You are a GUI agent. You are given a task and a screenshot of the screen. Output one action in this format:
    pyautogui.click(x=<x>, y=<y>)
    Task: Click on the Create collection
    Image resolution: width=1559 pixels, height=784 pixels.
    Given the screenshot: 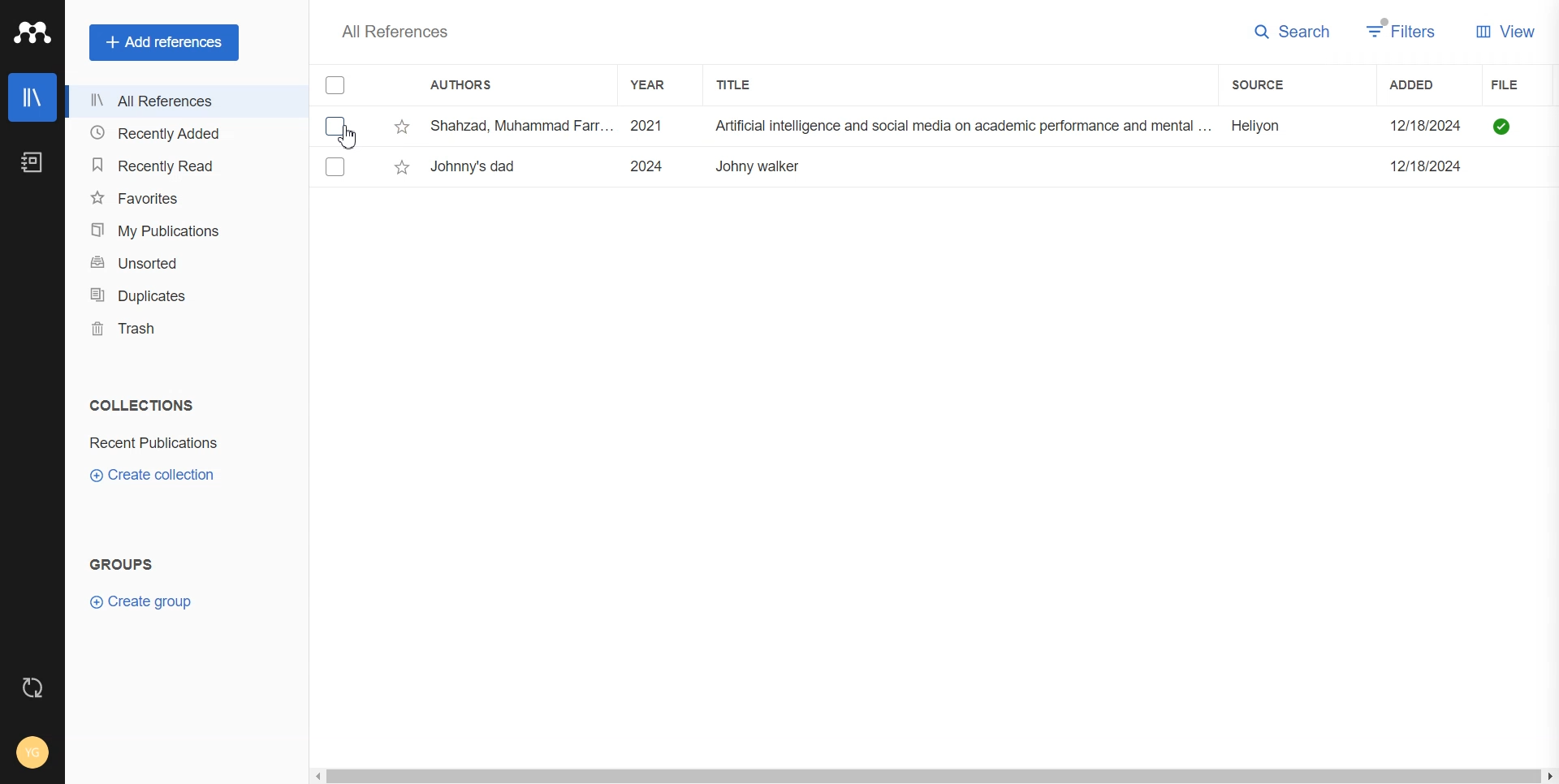 What is the action you would take?
    pyautogui.click(x=153, y=474)
    